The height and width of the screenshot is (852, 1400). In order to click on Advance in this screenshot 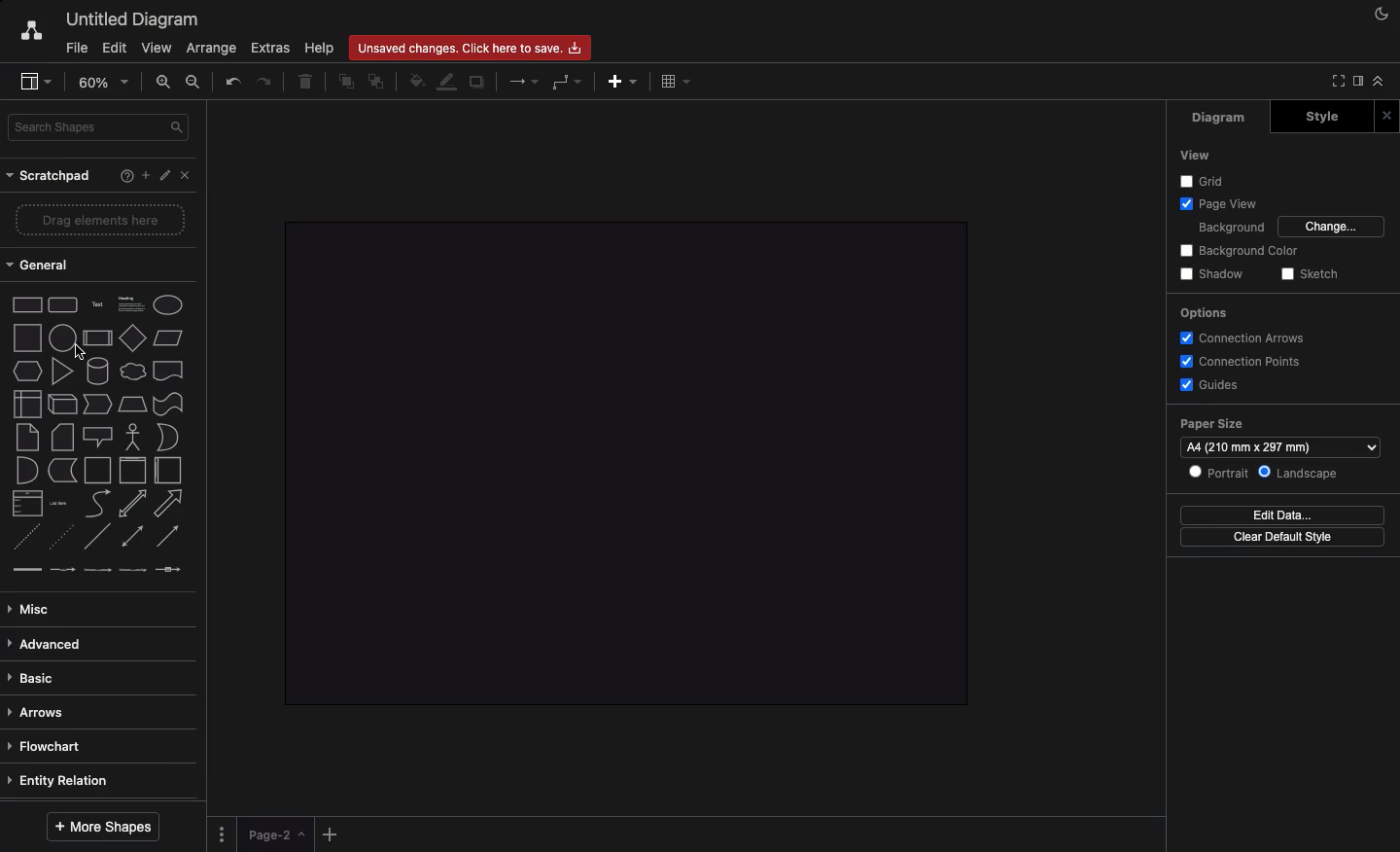, I will do `click(50, 644)`.